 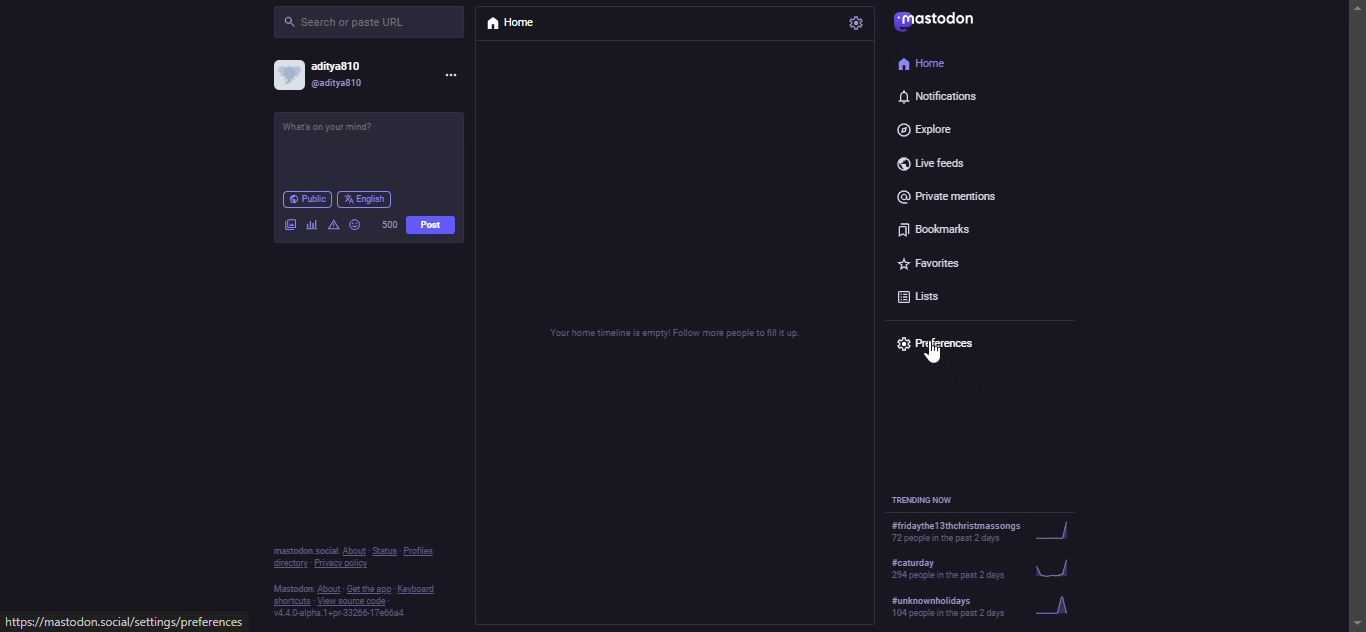 What do you see at coordinates (979, 531) in the screenshot?
I see `trending` at bounding box center [979, 531].